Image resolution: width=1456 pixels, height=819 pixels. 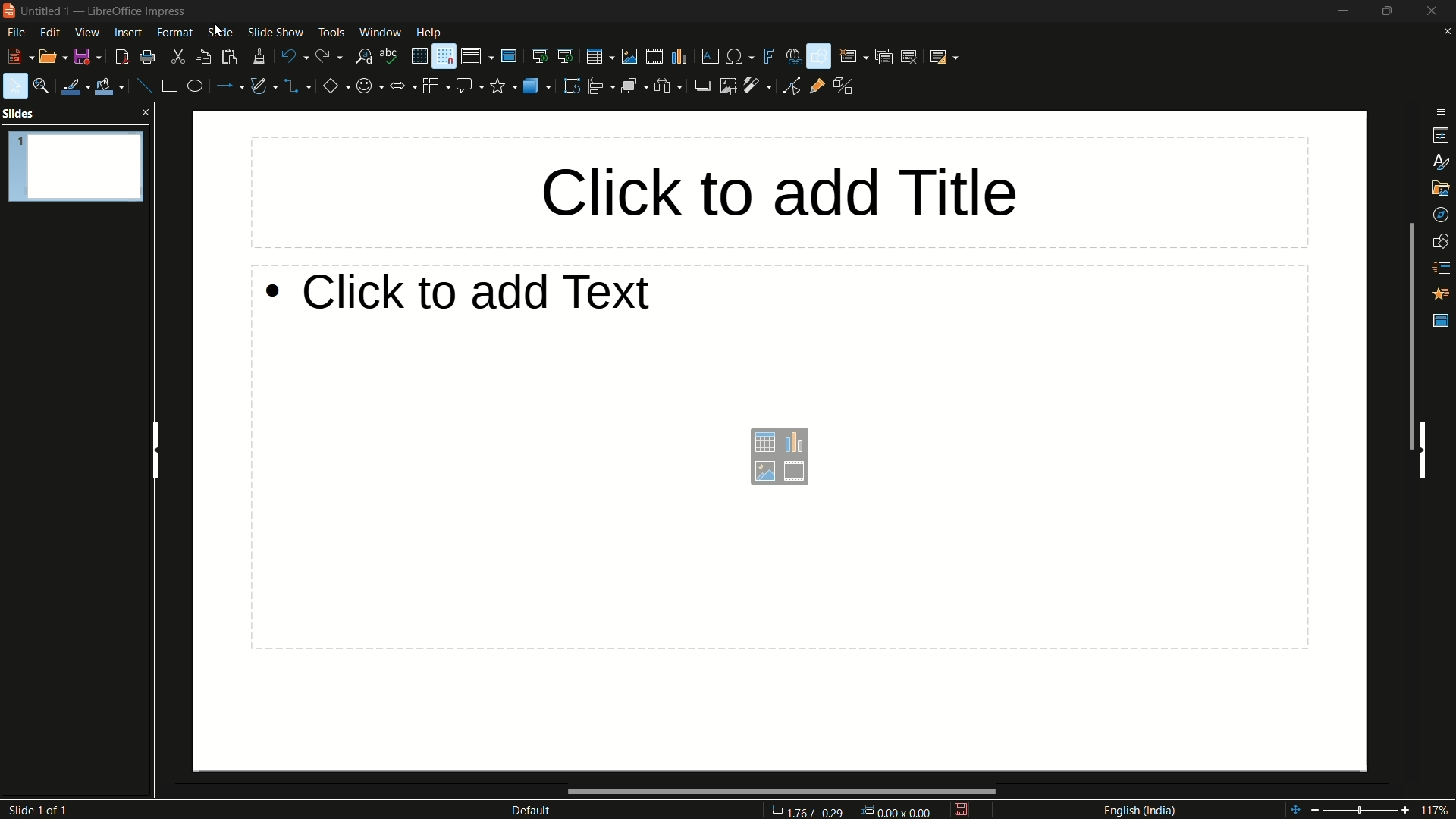 What do you see at coordinates (780, 790) in the screenshot?
I see `scroll bar` at bounding box center [780, 790].